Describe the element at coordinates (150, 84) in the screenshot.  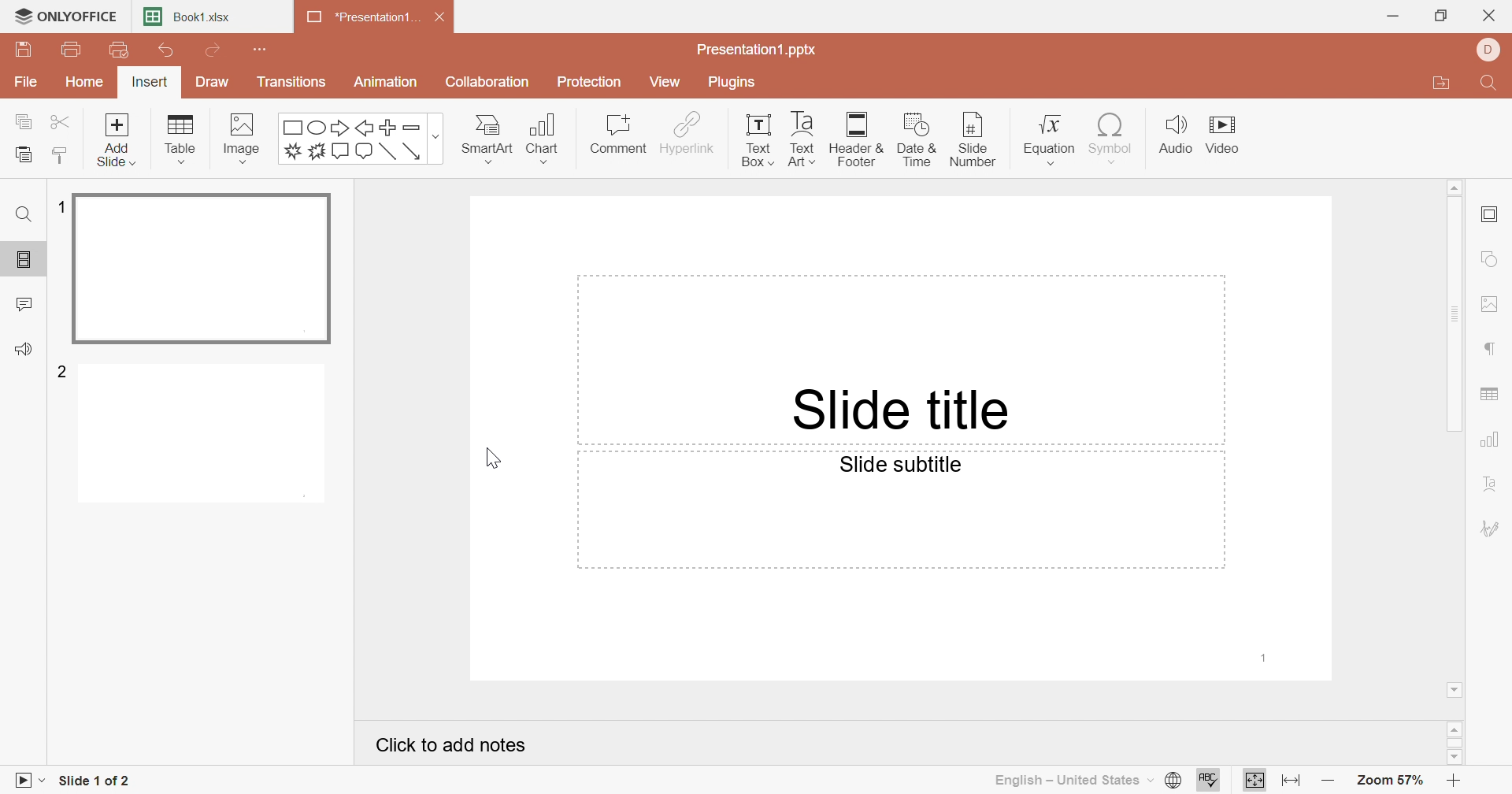
I see `Insert` at that location.